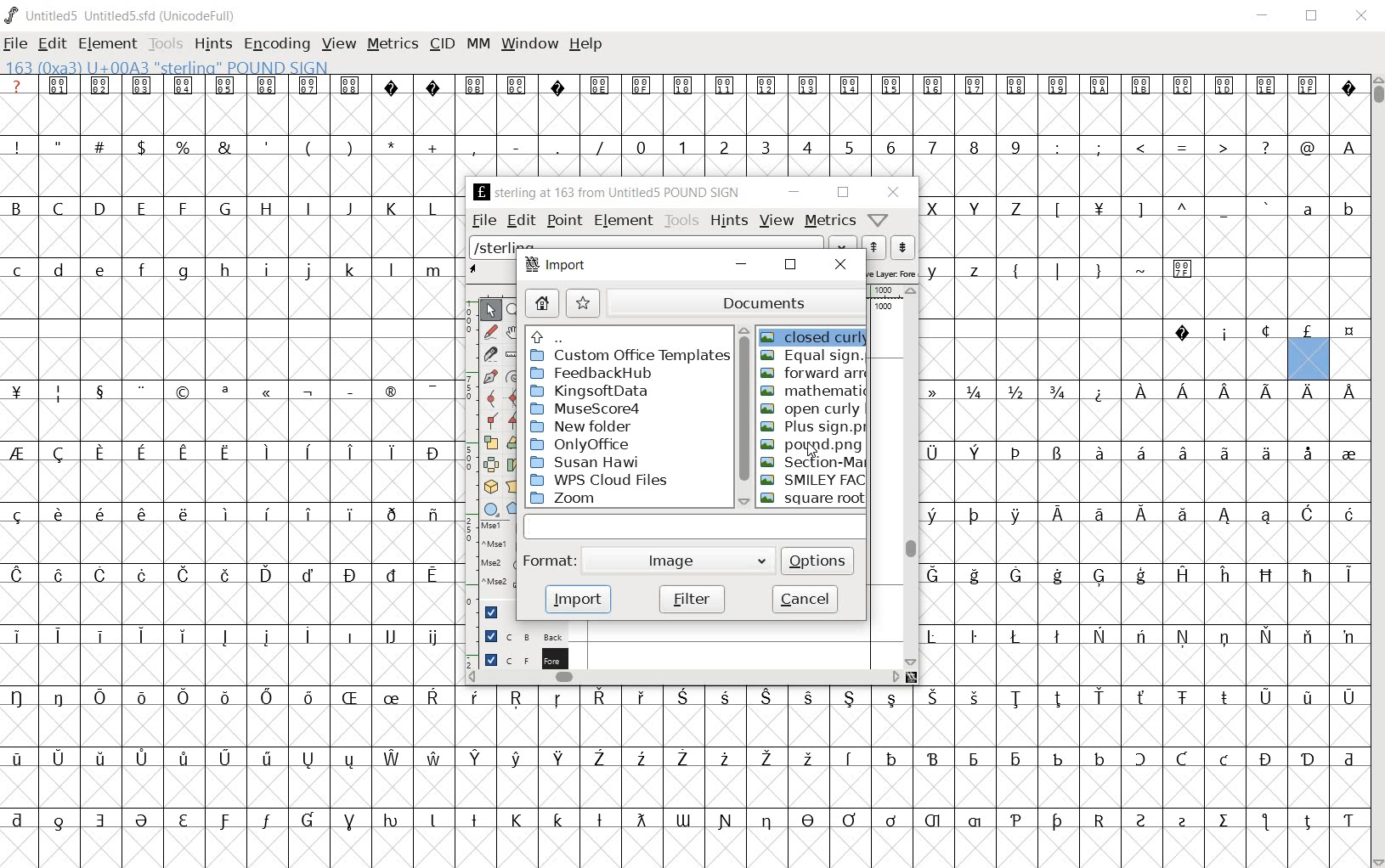 This screenshot has height=868, width=1385. What do you see at coordinates (848, 147) in the screenshot?
I see `5` at bounding box center [848, 147].